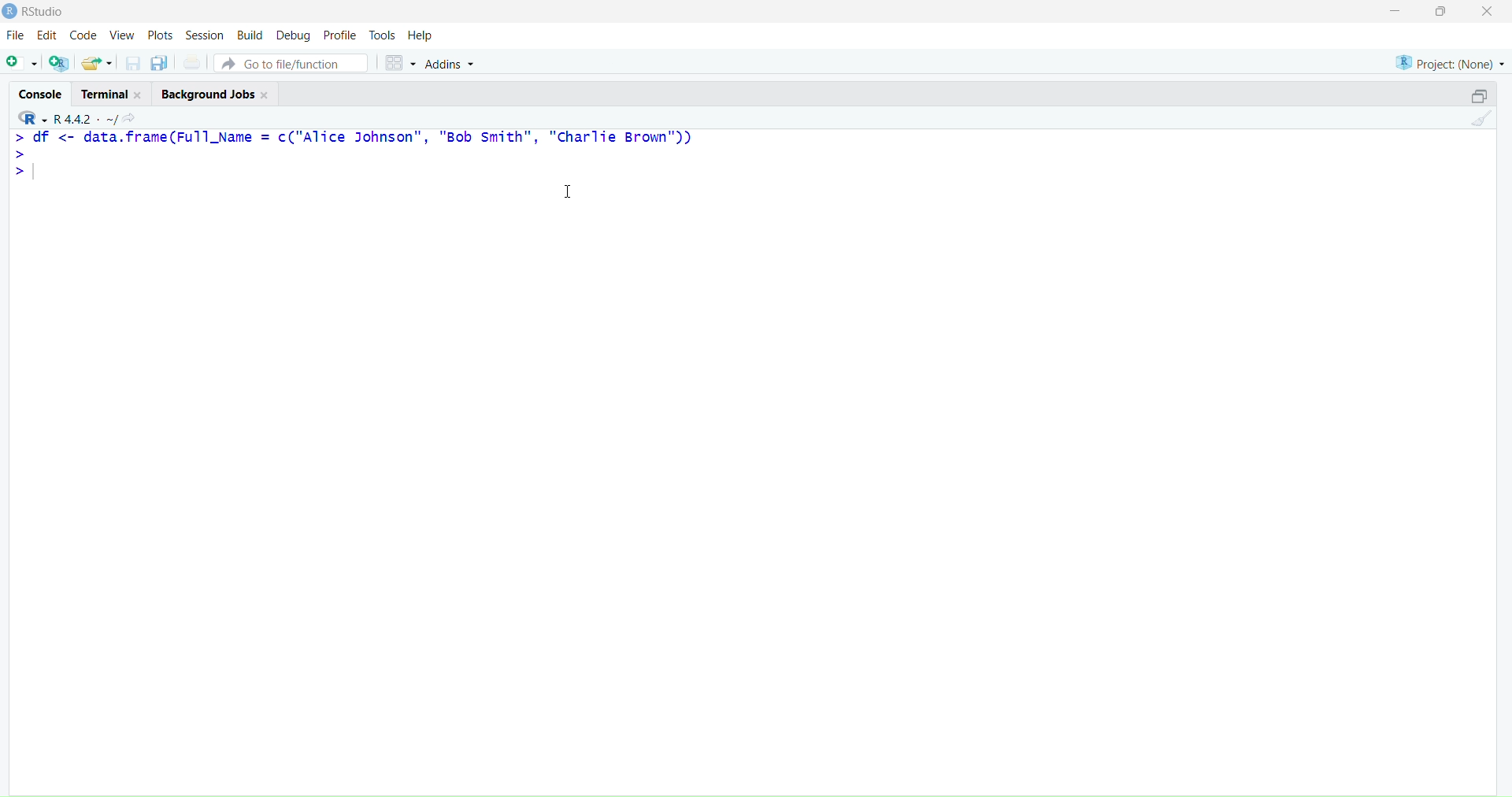  Describe the element at coordinates (421, 34) in the screenshot. I see `Help` at that location.